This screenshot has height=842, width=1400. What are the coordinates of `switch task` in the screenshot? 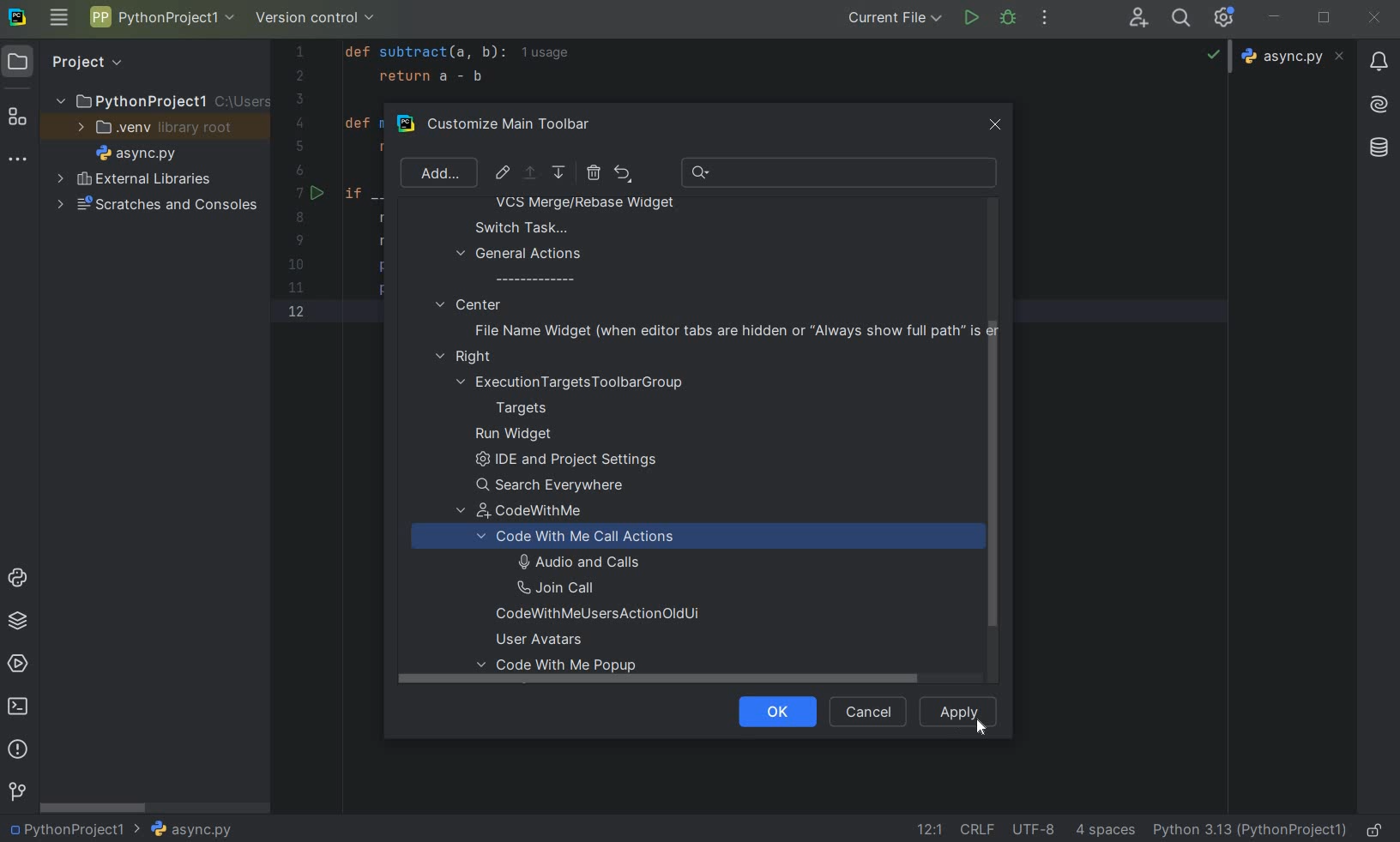 It's located at (513, 227).